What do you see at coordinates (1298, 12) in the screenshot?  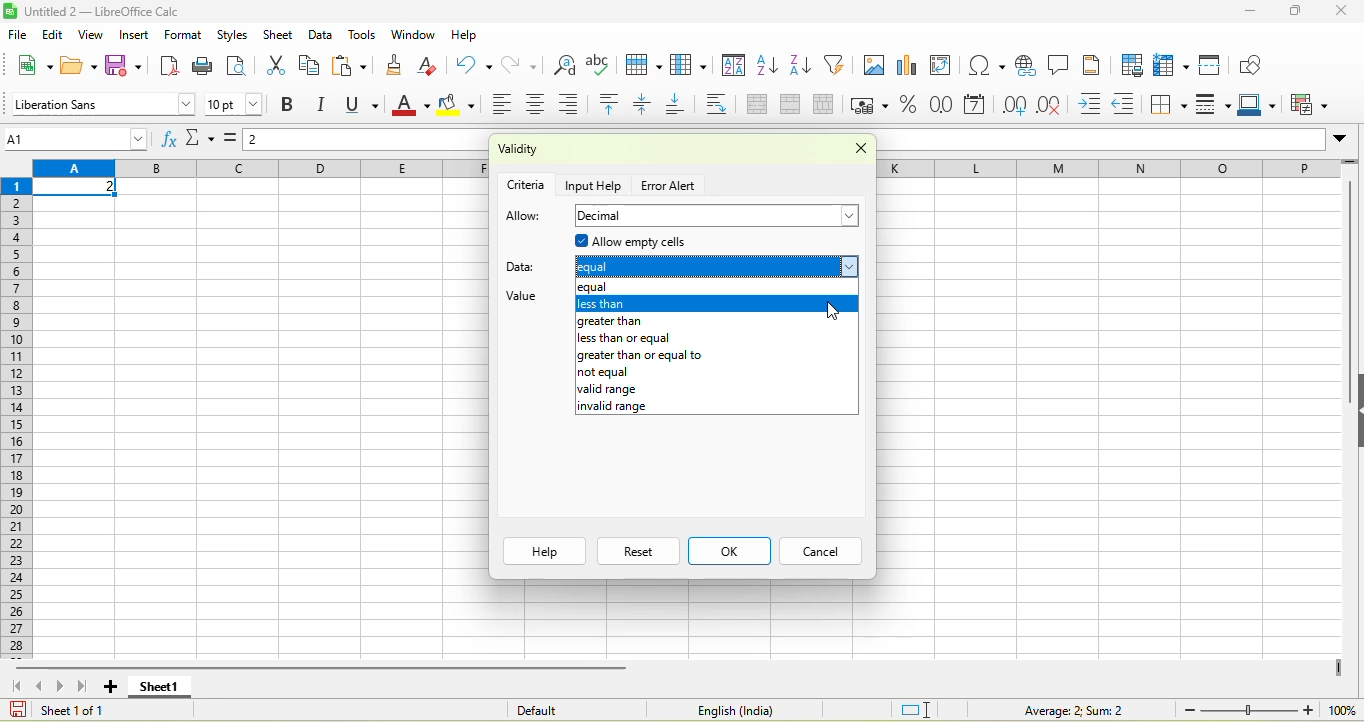 I see `maximize` at bounding box center [1298, 12].